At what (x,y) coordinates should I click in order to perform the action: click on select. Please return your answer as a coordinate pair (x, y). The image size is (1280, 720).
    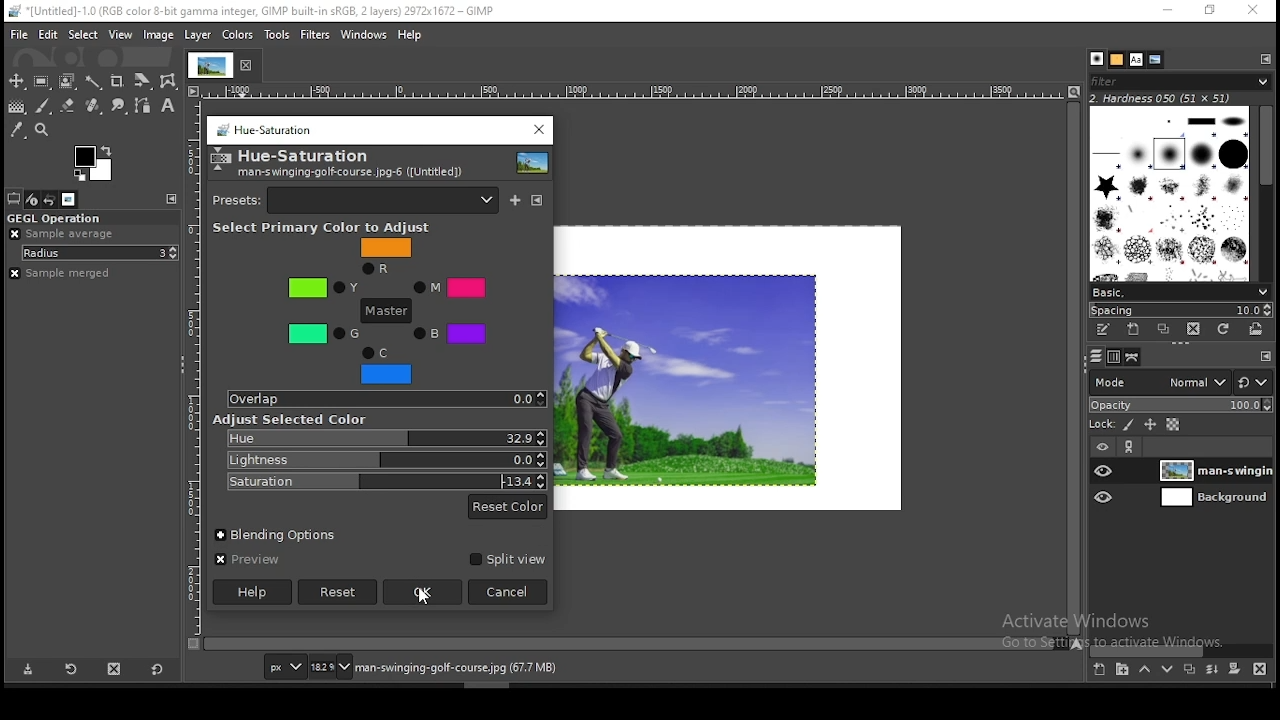
    Looking at the image, I should click on (83, 33).